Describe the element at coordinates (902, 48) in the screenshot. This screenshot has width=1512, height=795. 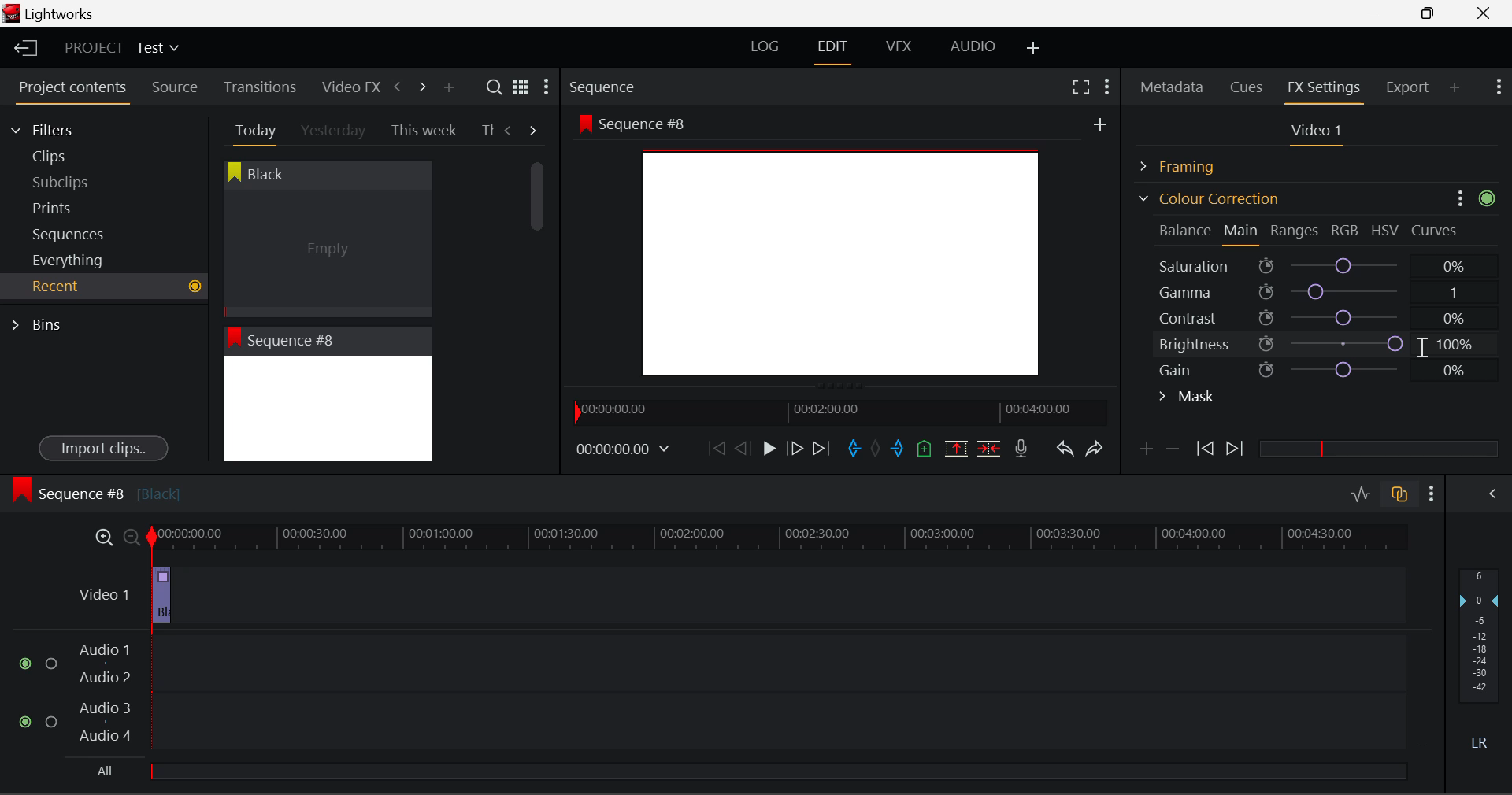
I see `VFX Layout` at that location.